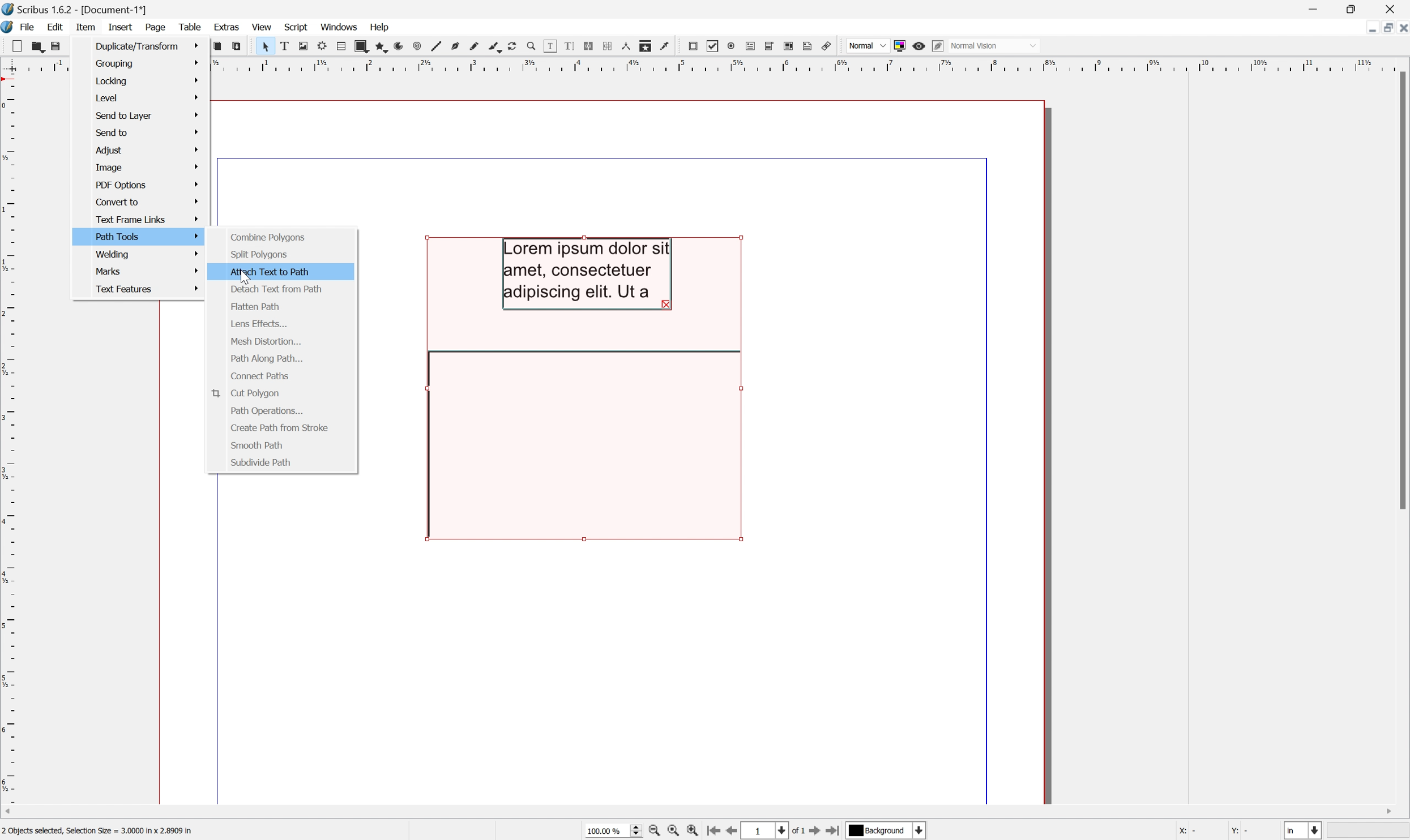 The height and width of the screenshot is (840, 1410). Describe the element at coordinates (434, 46) in the screenshot. I see `Line` at that location.